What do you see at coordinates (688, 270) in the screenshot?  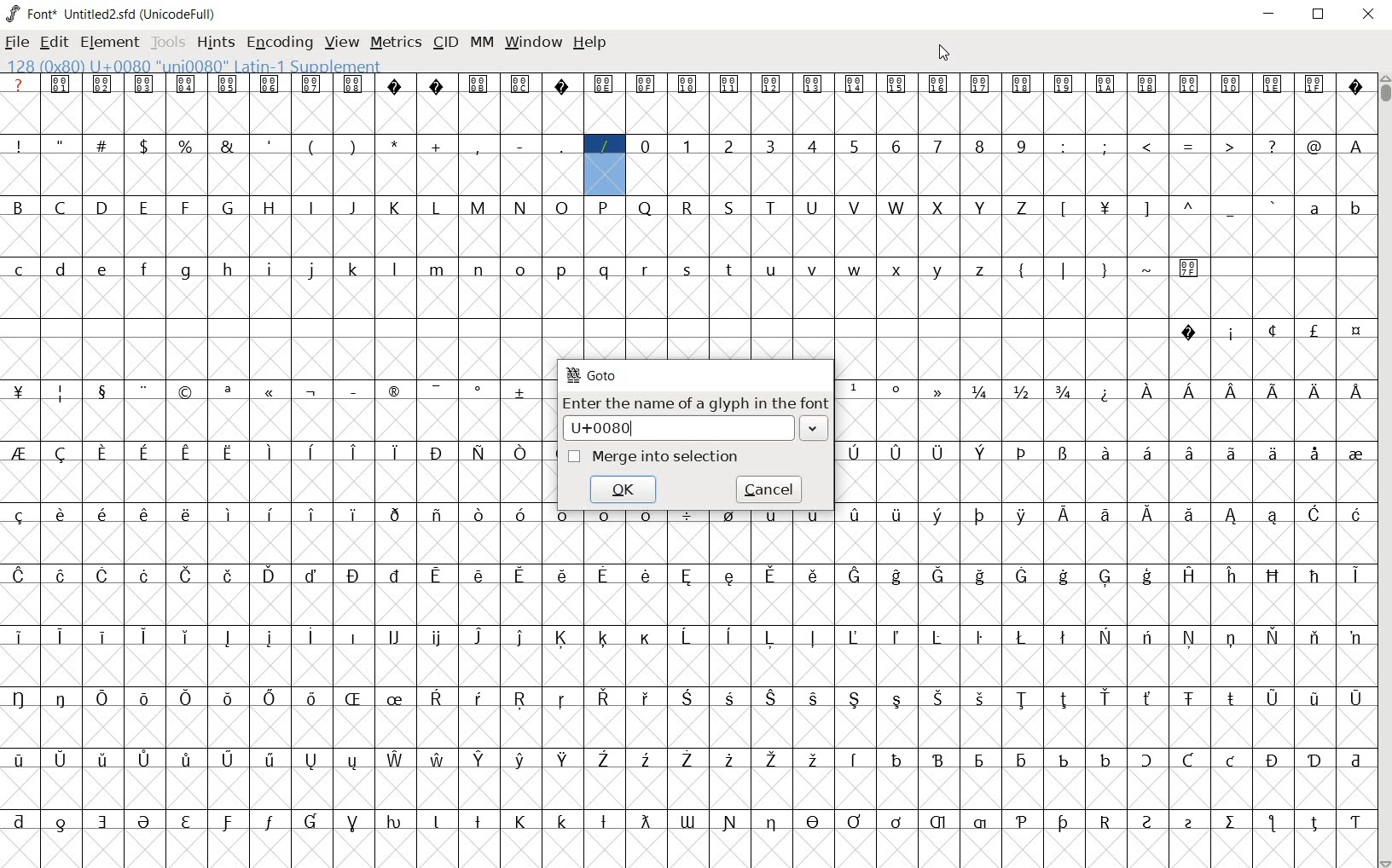 I see `glyph` at bounding box center [688, 270].